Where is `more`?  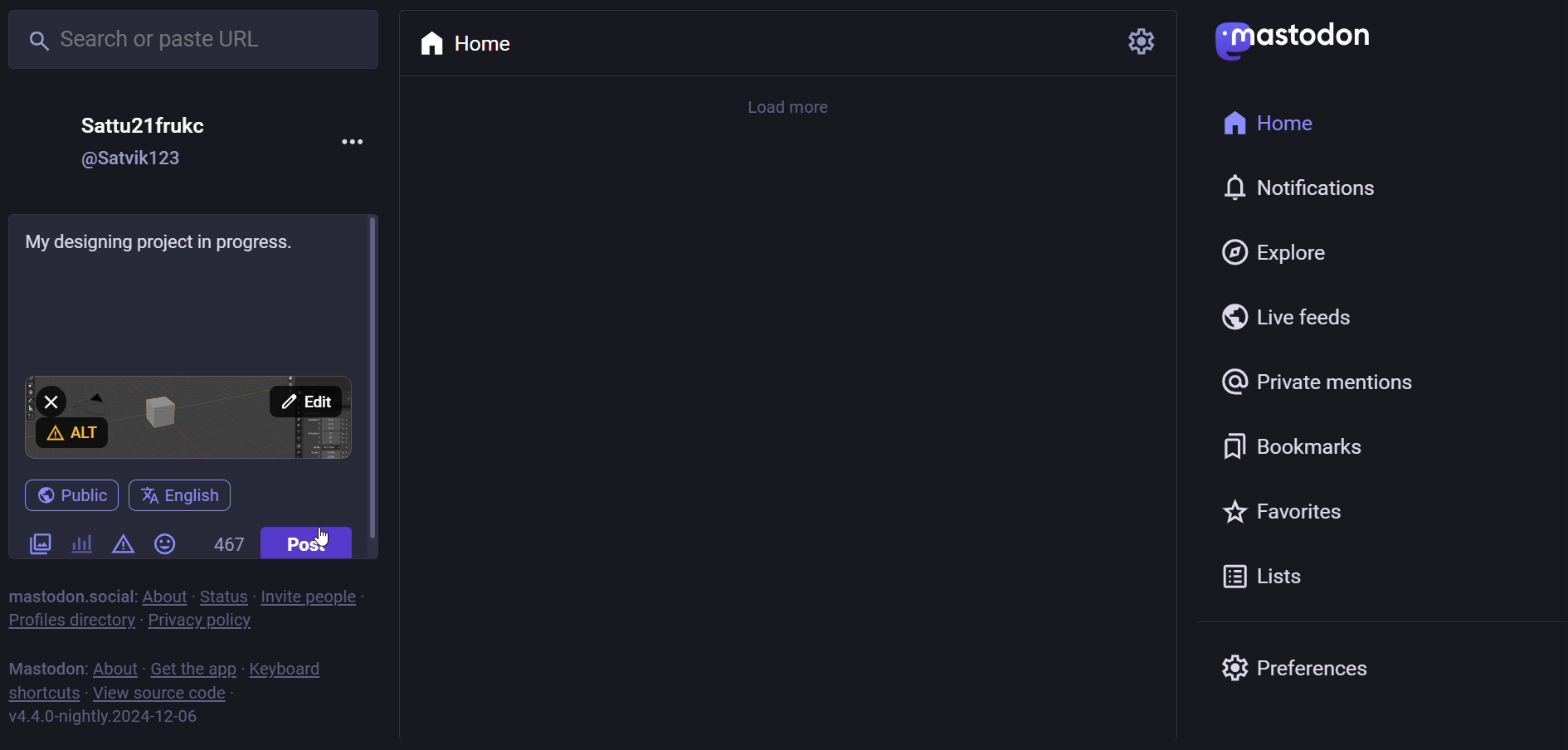
more is located at coordinates (354, 144).